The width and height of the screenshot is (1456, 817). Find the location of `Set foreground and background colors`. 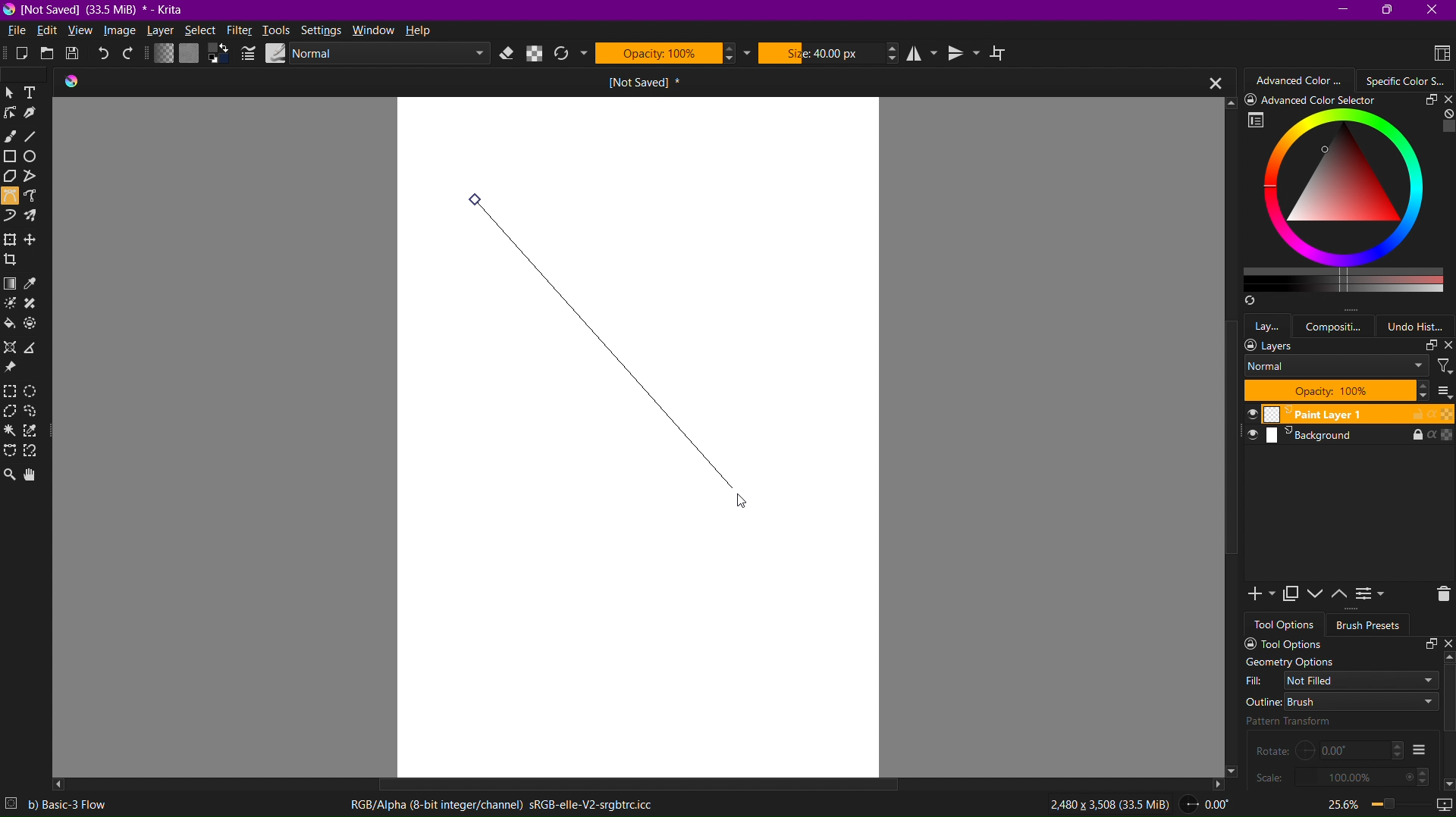

Set foreground and background colors is located at coordinates (218, 55).